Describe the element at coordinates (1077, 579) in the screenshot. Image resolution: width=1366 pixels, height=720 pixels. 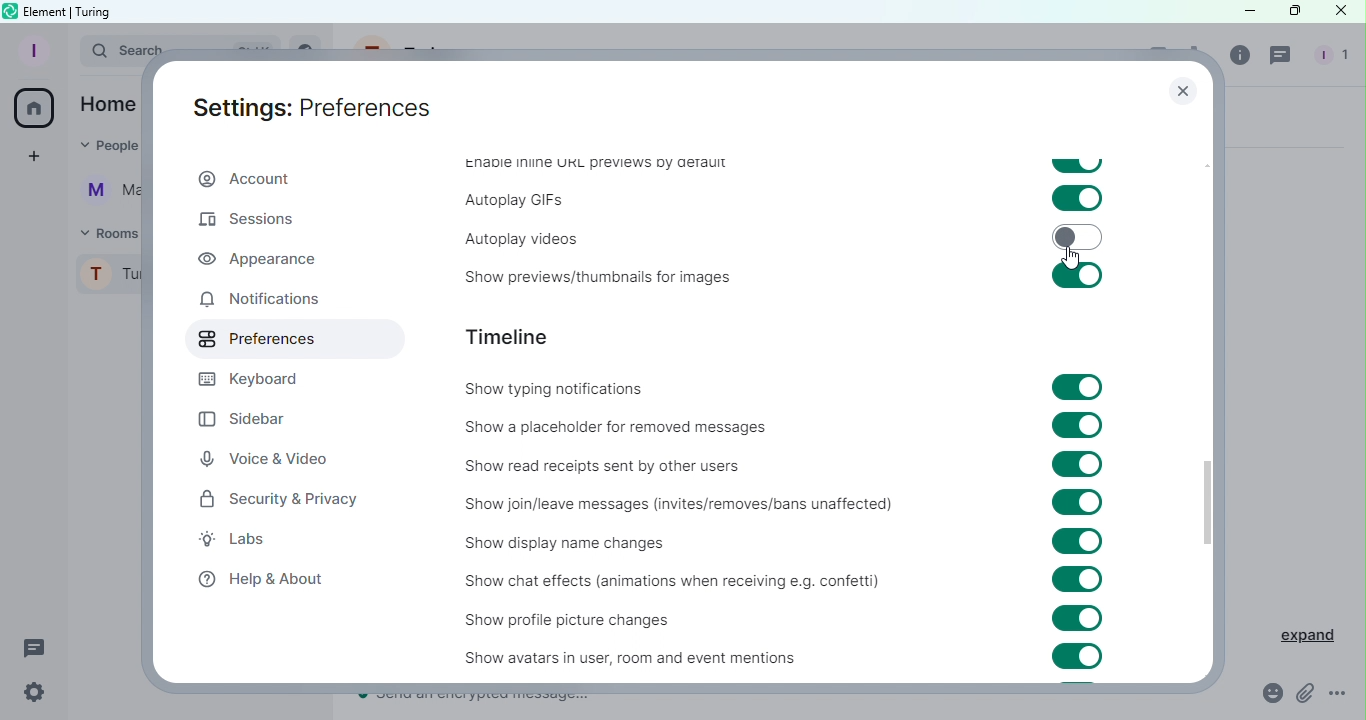
I see `Toggle` at that location.